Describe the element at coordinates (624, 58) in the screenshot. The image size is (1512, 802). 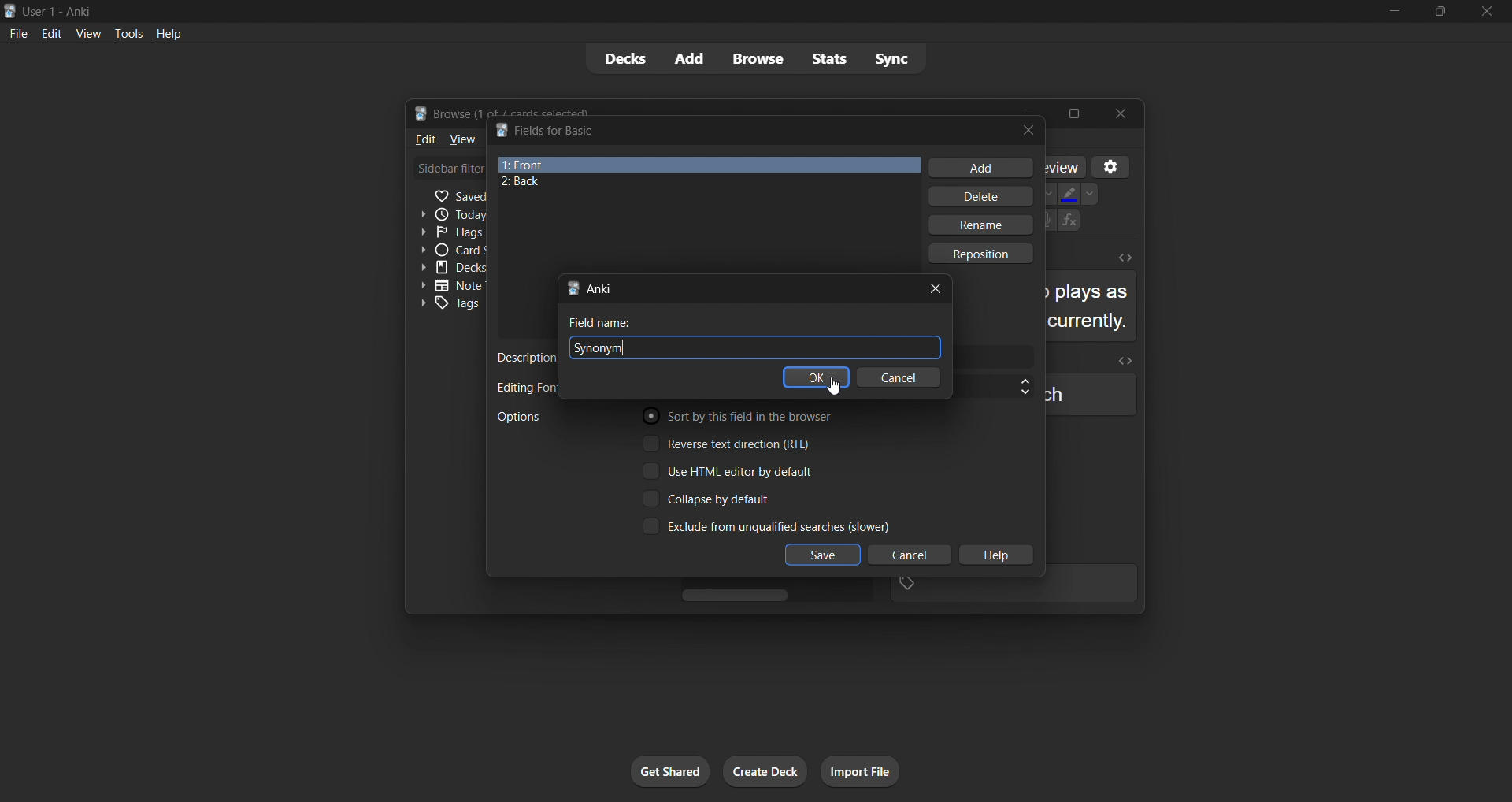
I see `decks` at that location.